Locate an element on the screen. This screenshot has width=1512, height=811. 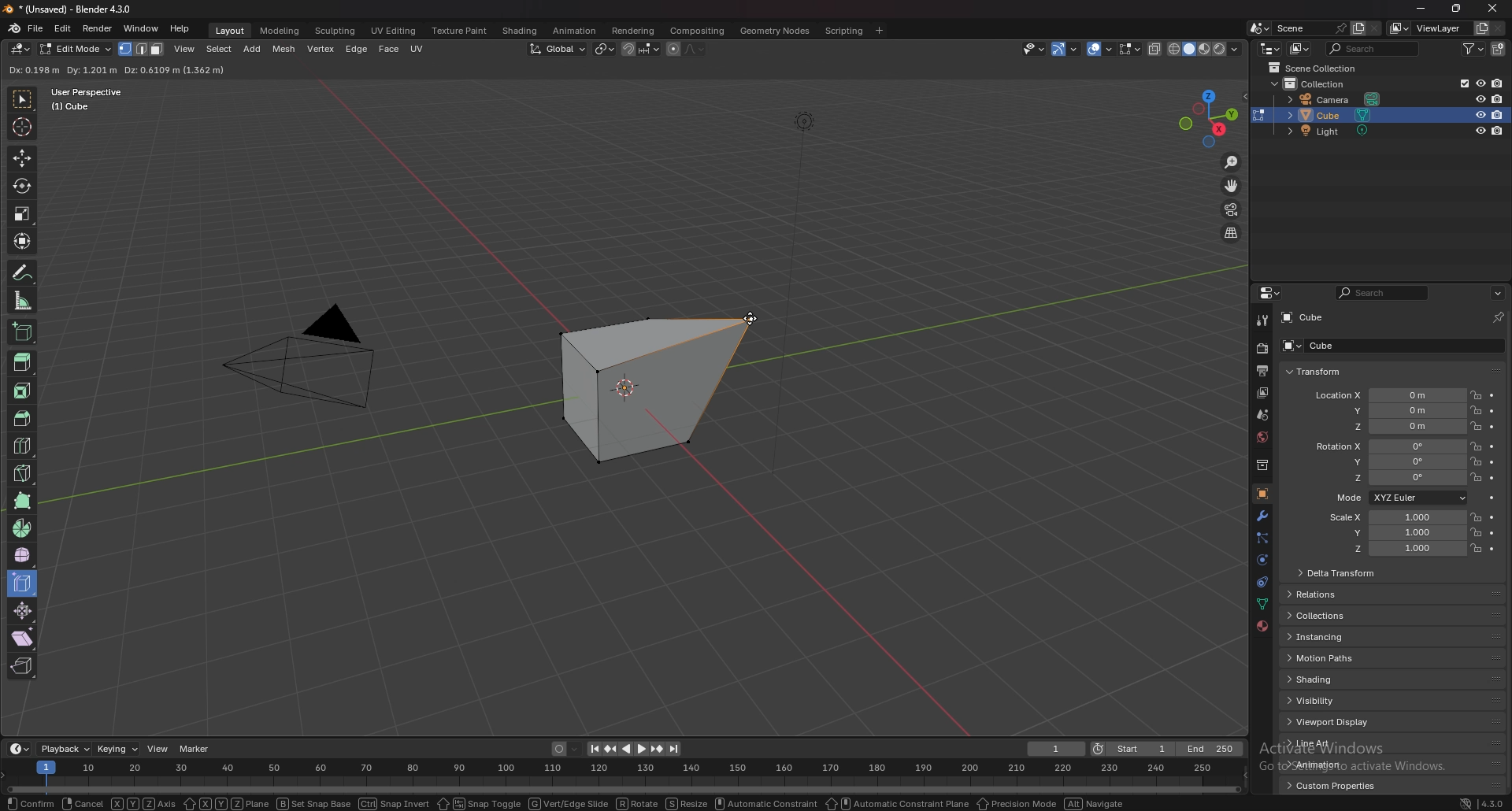
lock is located at coordinates (1475, 462).